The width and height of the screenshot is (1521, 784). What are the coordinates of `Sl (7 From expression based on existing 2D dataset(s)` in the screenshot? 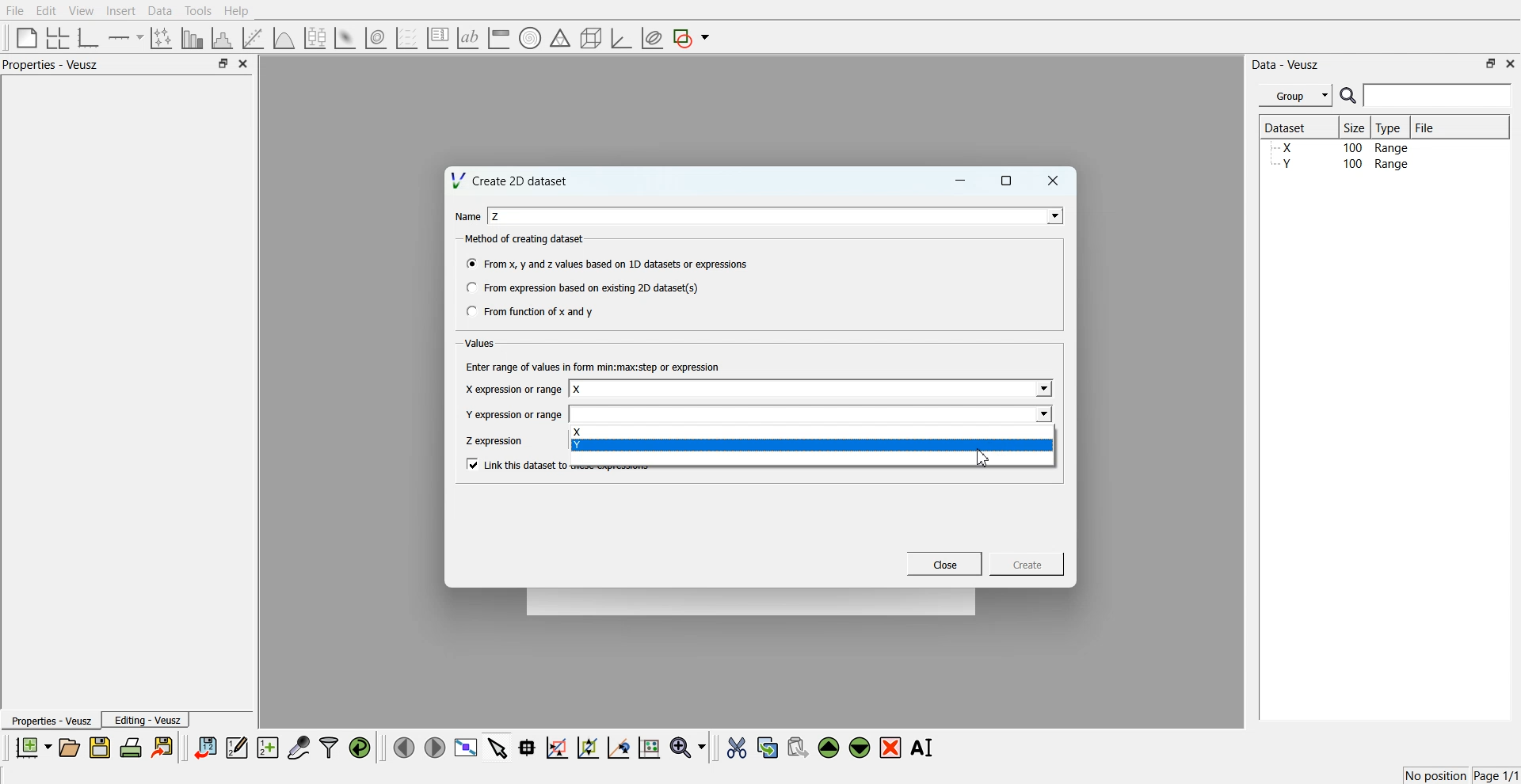 It's located at (581, 287).